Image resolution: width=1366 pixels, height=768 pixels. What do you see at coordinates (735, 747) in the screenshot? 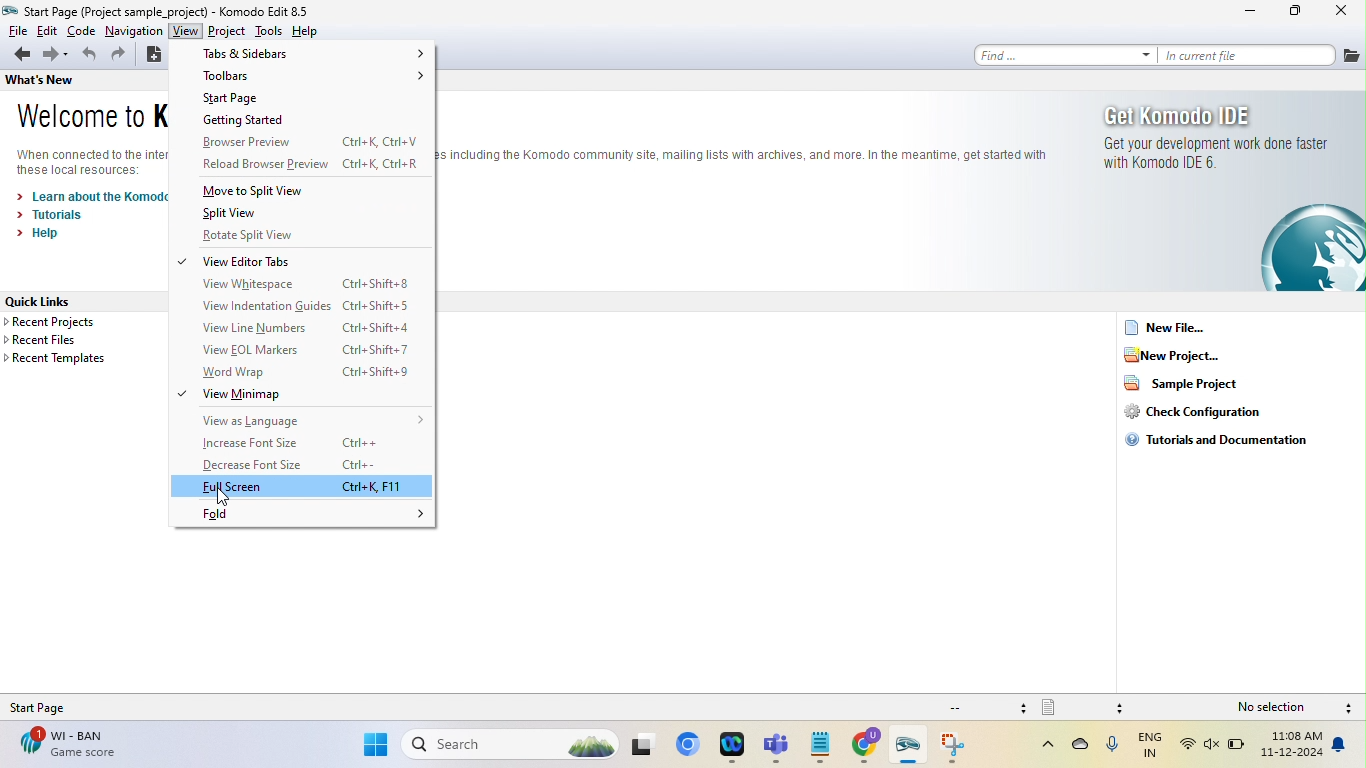
I see `apps on taskbar` at bounding box center [735, 747].